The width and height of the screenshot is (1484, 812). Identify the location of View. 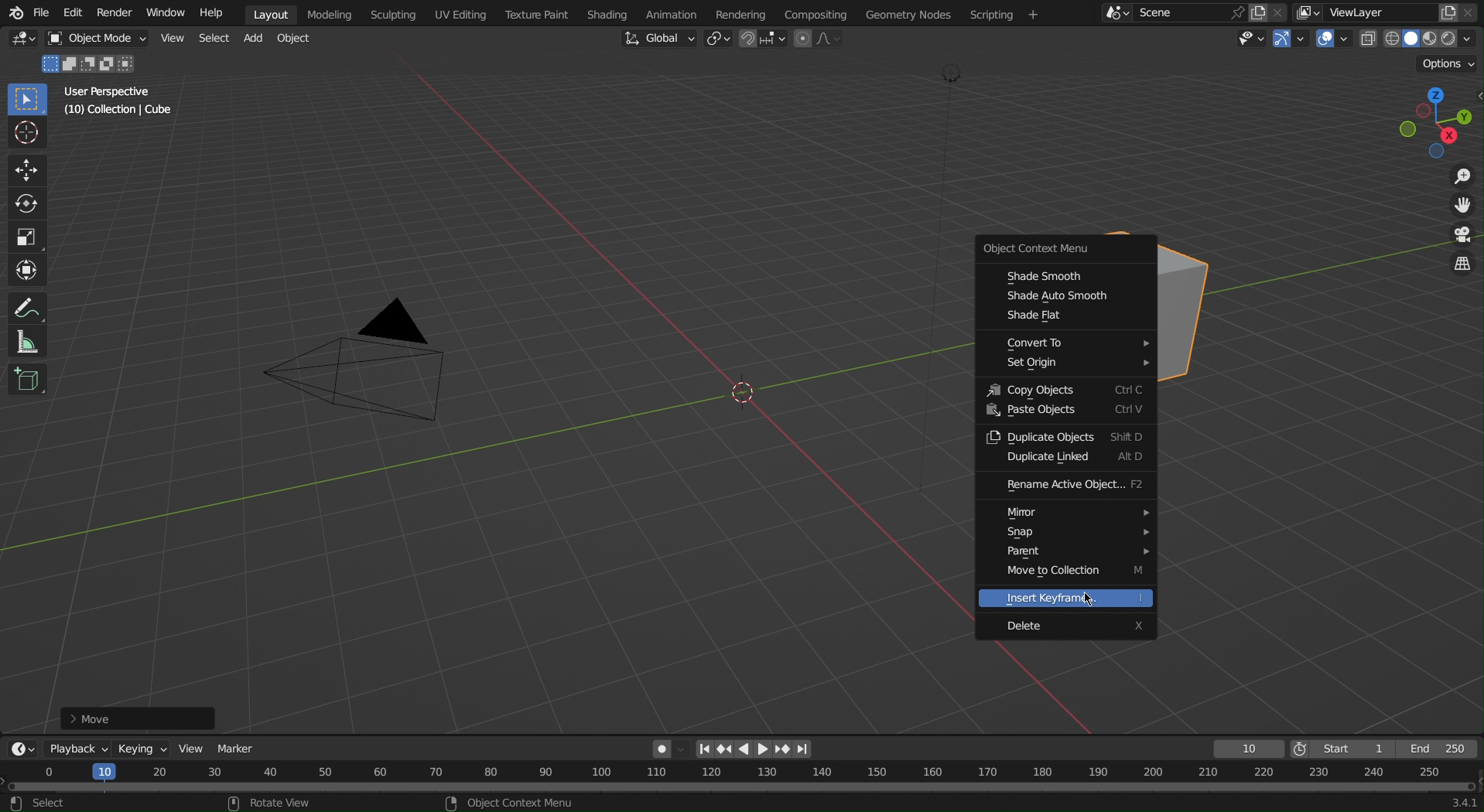
(174, 39).